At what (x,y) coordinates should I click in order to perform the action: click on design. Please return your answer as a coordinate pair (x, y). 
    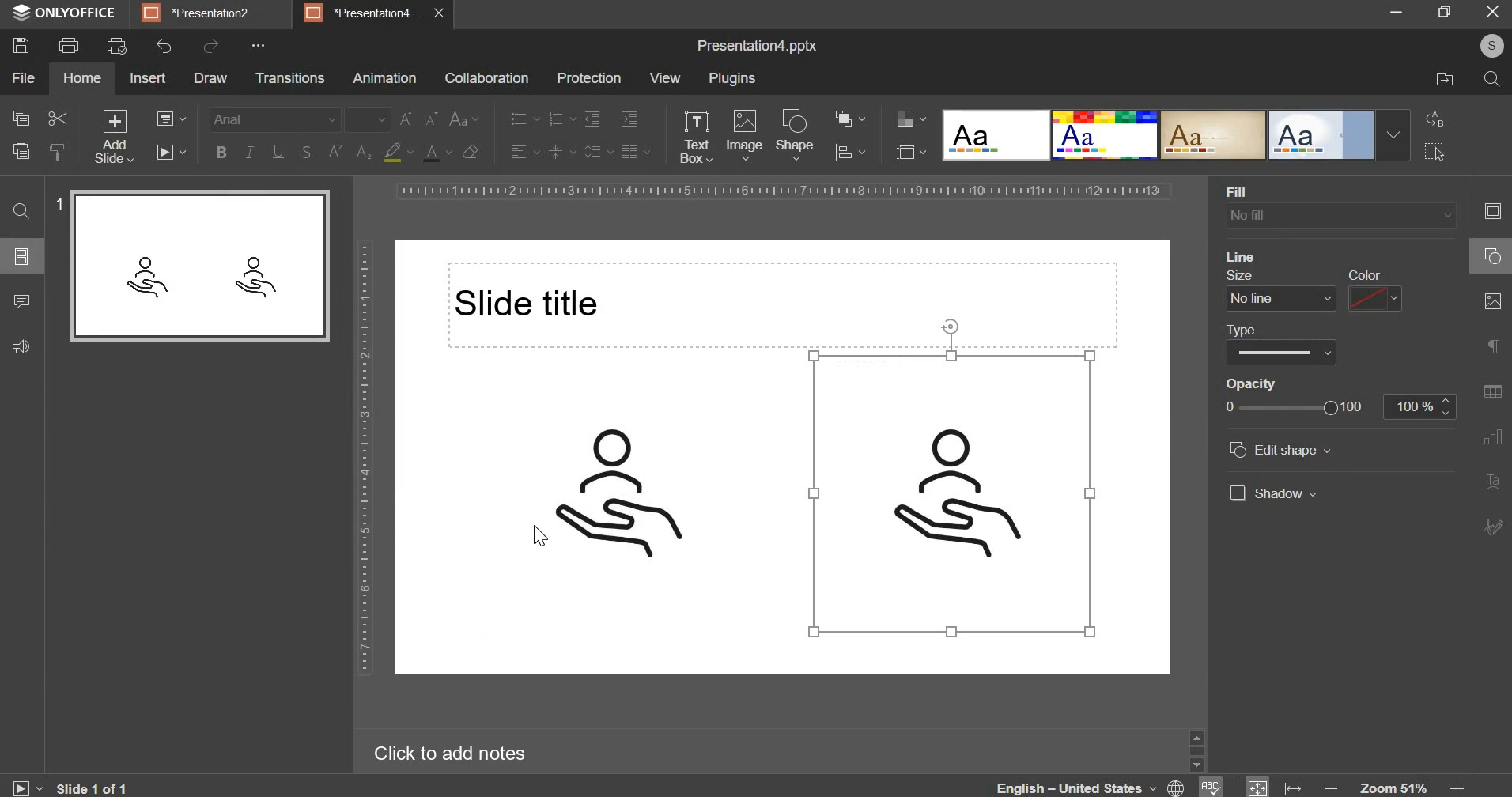
    Looking at the image, I should click on (997, 136).